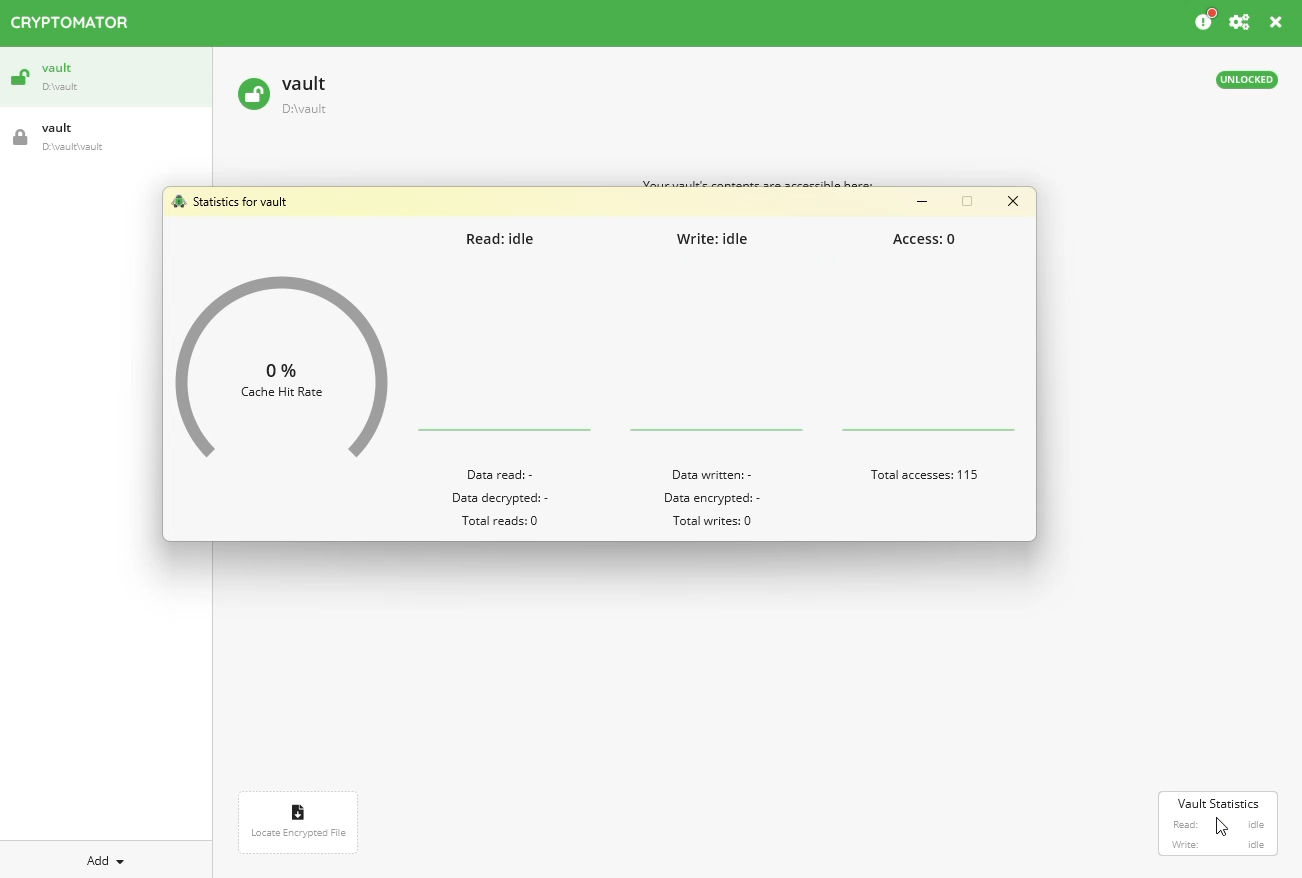 Image resolution: width=1302 pixels, height=878 pixels. What do you see at coordinates (105, 138) in the screenshot?
I see `vault` at bounding box center [105, 138].